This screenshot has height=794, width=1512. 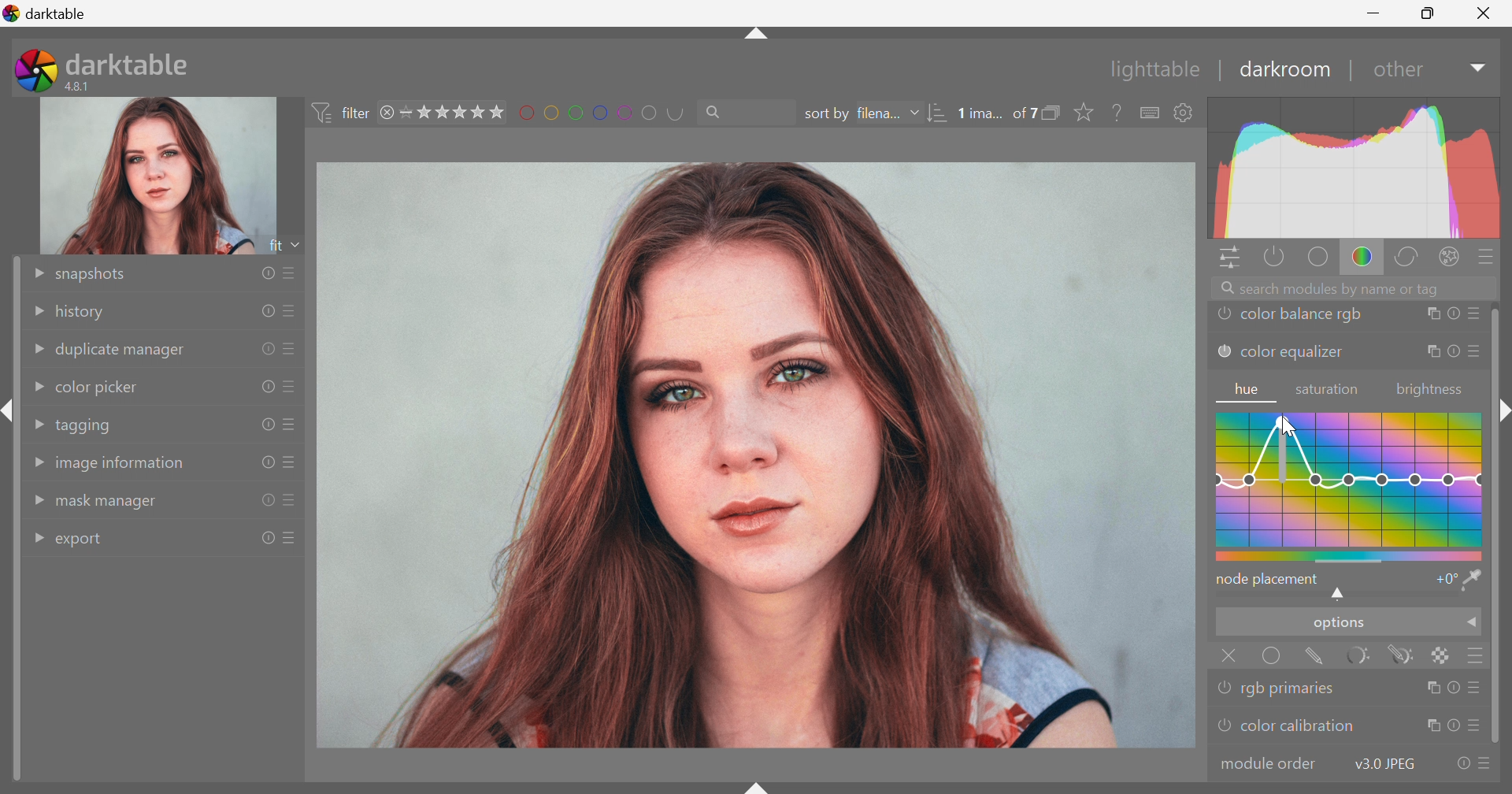 What do you see at coordinates (1431, 353) in the screenshot?
I see `multiple instance actions` at bounding box center [1431, 353].